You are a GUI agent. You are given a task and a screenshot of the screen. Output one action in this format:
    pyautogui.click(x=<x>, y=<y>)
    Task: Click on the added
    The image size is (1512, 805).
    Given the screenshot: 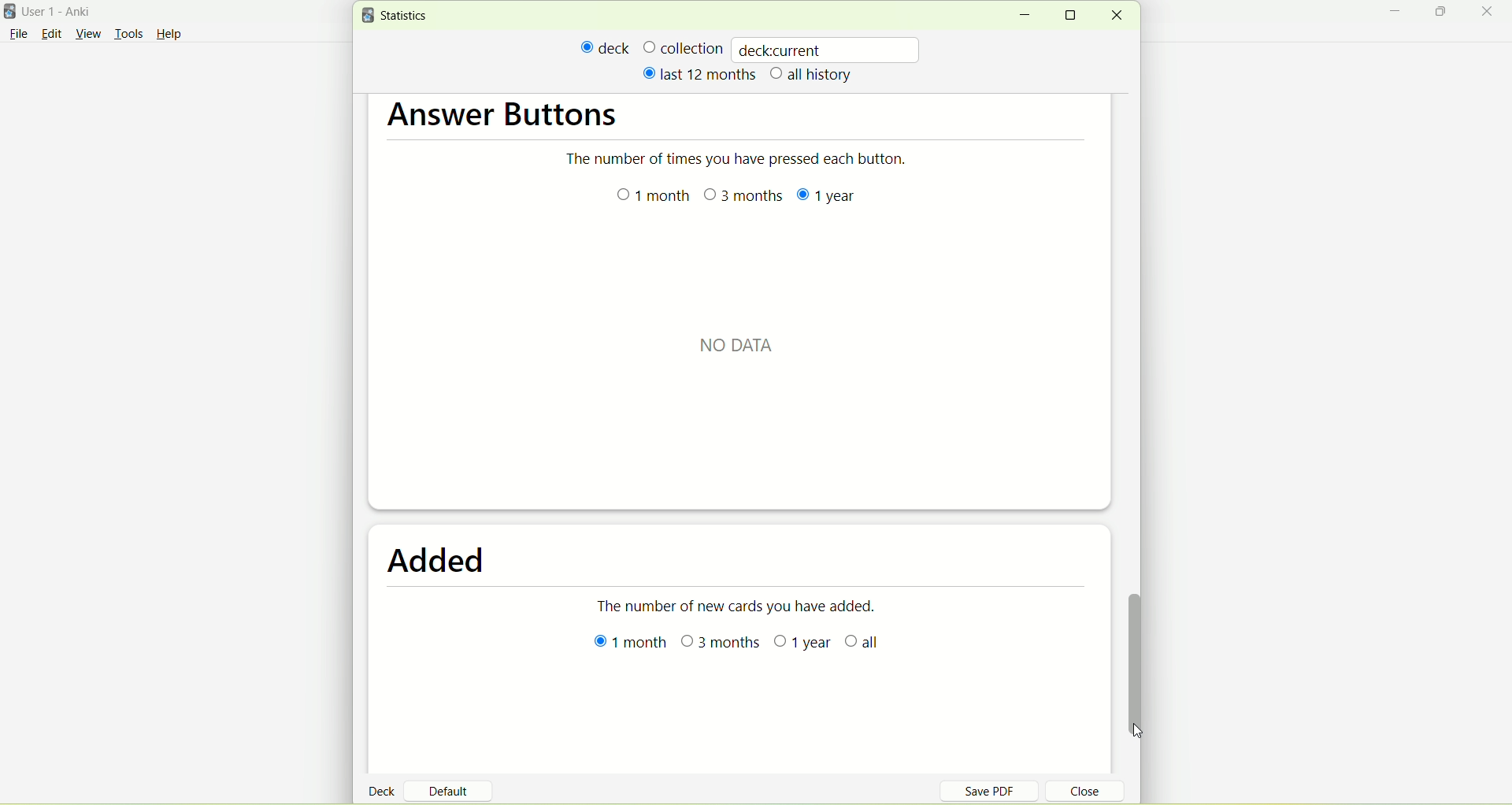 What is the action you would take?
    pyautogui.click(x=448, y=562)
    